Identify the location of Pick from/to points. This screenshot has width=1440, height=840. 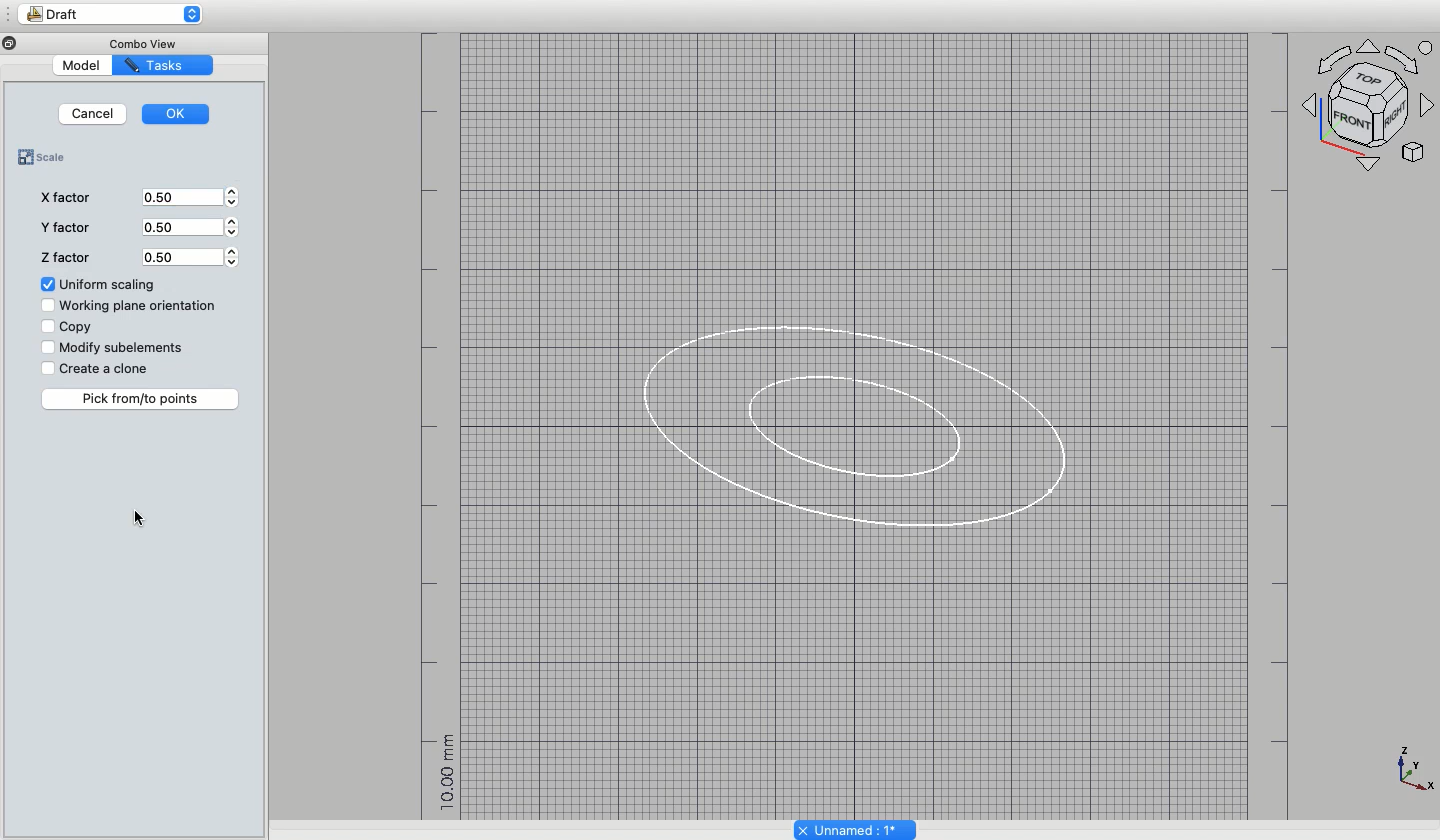
(142, 398).